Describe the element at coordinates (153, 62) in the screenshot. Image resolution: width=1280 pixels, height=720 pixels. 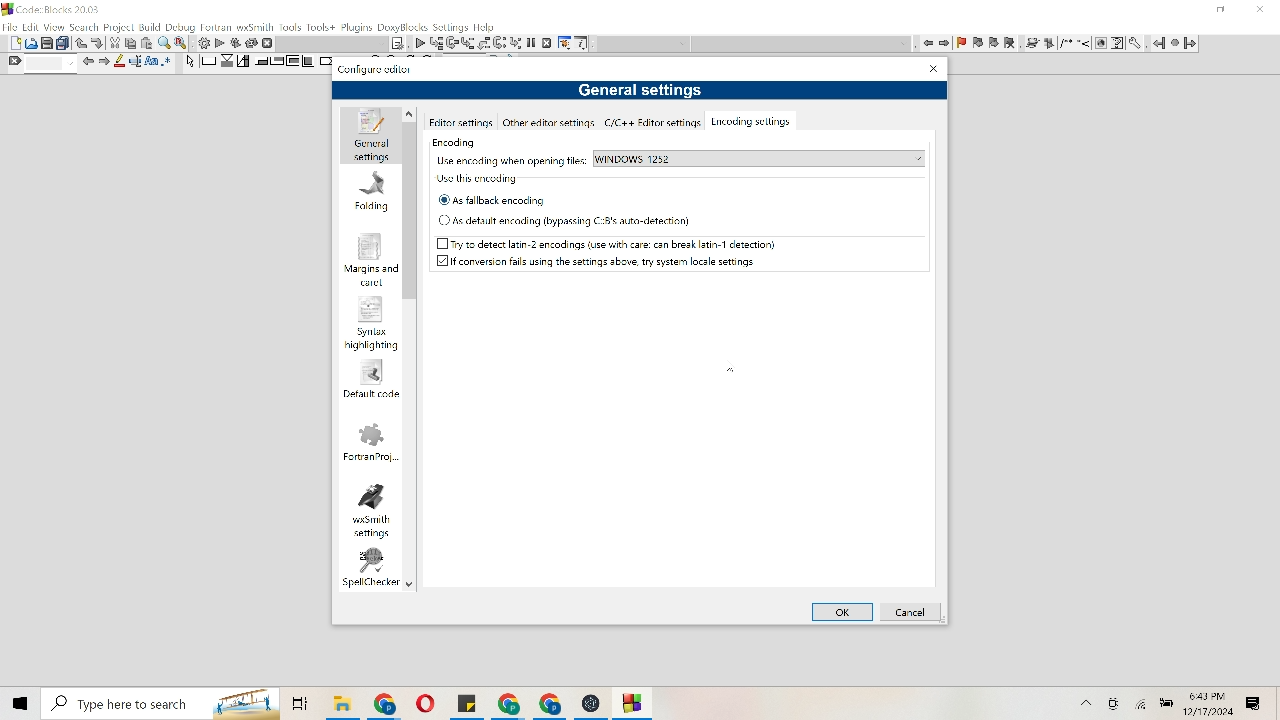
I see `Font` at that location.